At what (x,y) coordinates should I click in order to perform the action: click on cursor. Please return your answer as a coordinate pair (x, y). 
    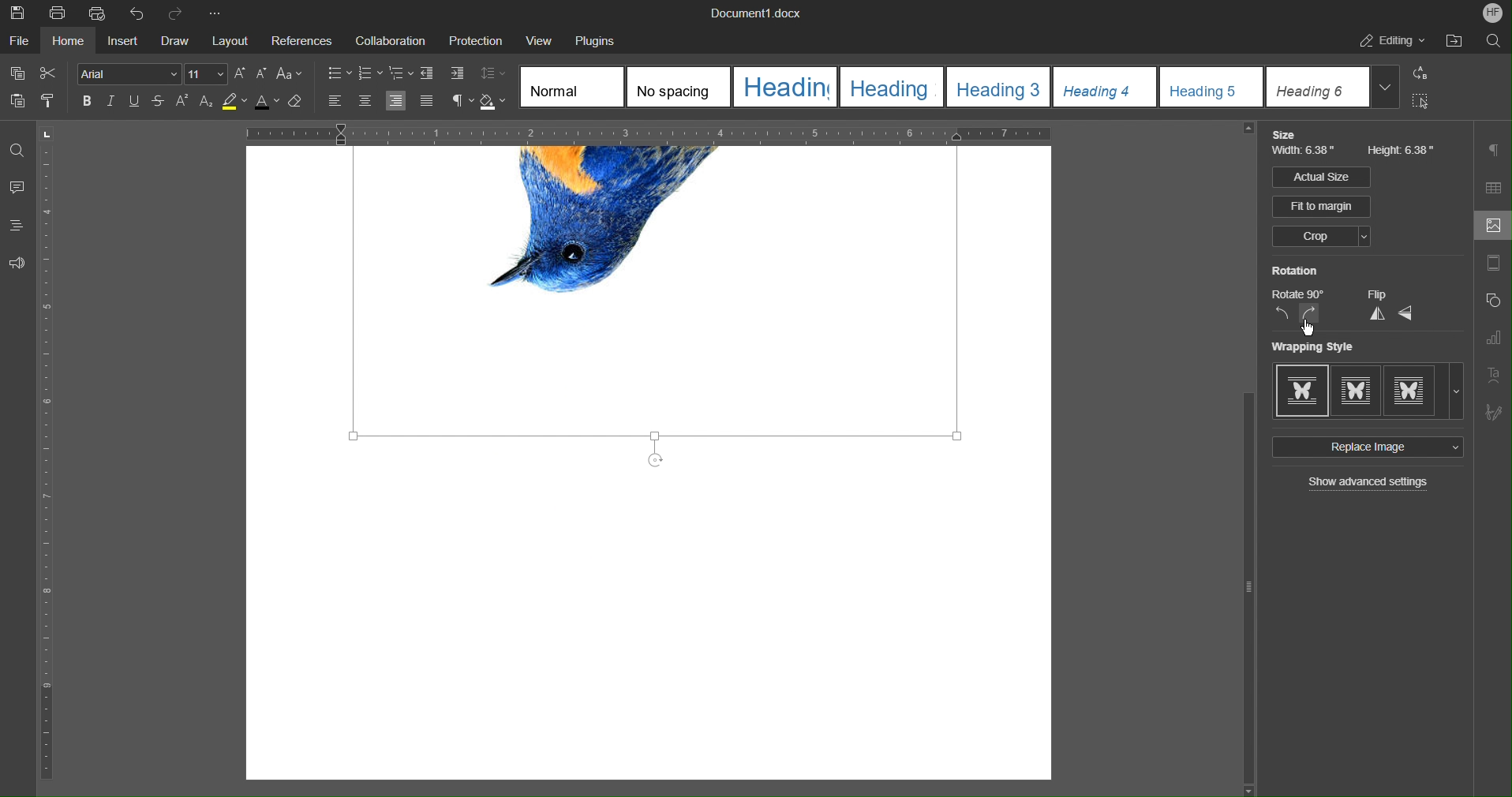
    Looking at the image, I should click on (1307, 327).